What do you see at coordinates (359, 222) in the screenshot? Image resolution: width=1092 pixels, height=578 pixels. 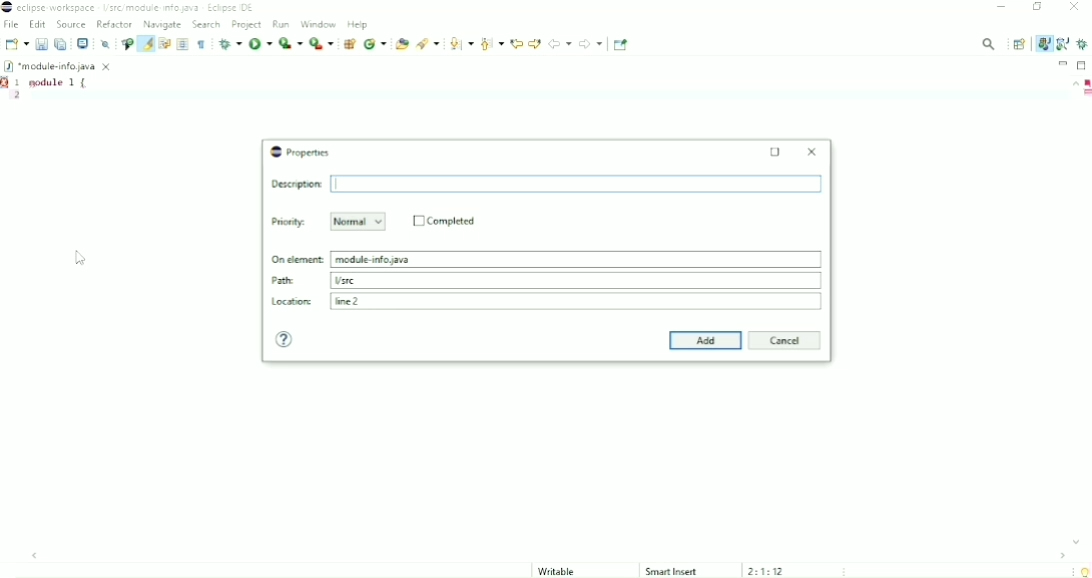 I see `Normal` at bounding box center [359, 222].